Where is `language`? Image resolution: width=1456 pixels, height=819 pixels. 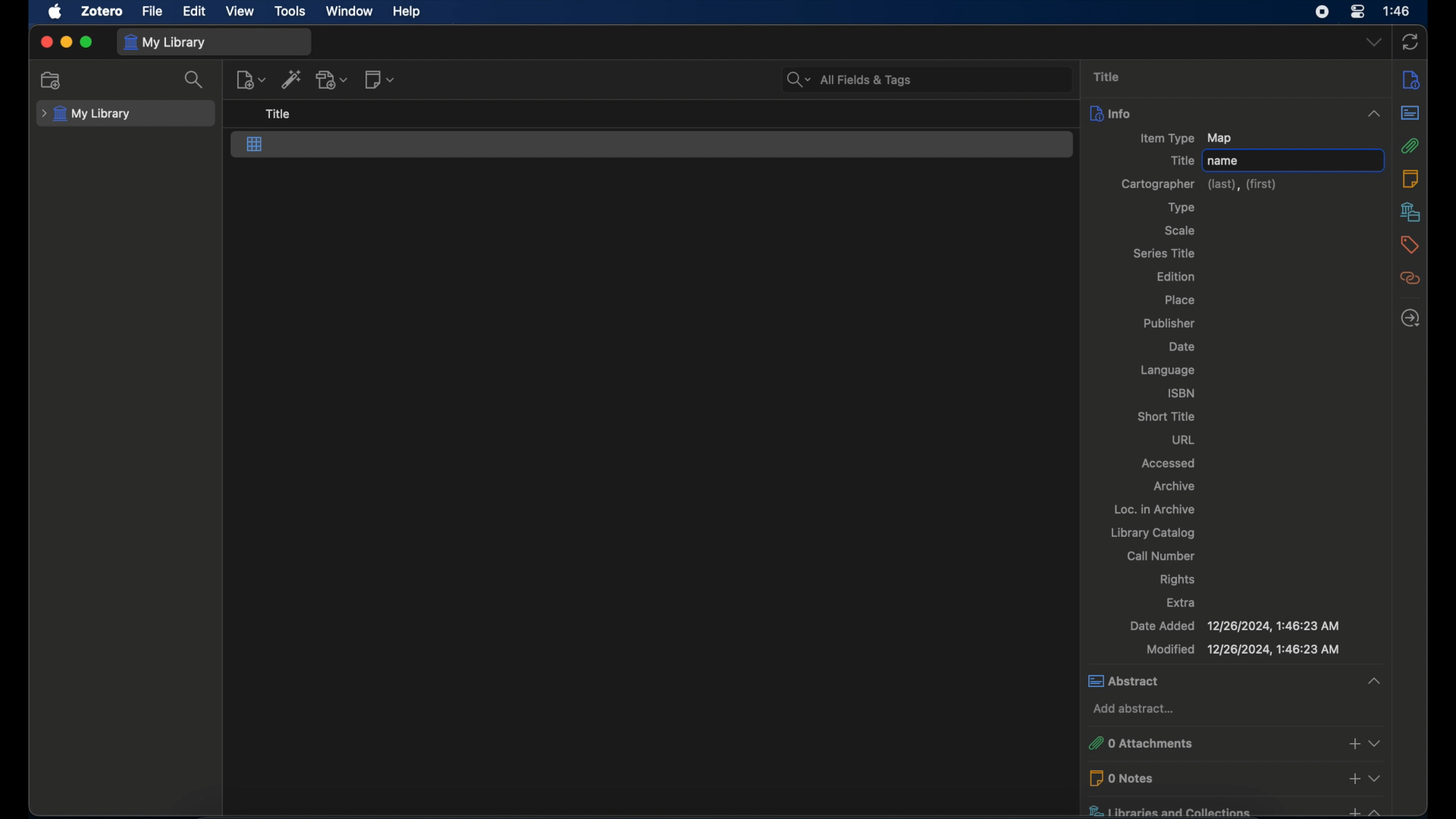
language is located at coordinates (1169, 371).